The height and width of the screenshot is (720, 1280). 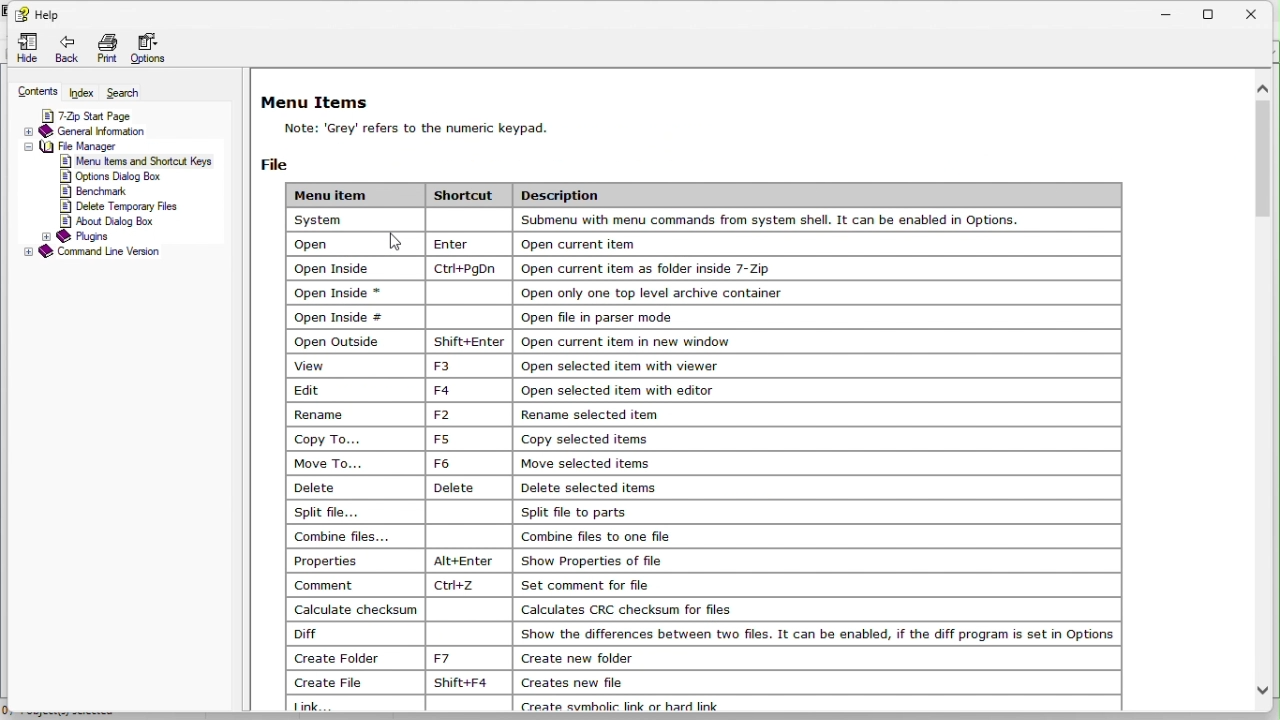 What do you see at coordinates (574, 193) in the screenshot?
I see `Description` at bounding box center [574, 193].